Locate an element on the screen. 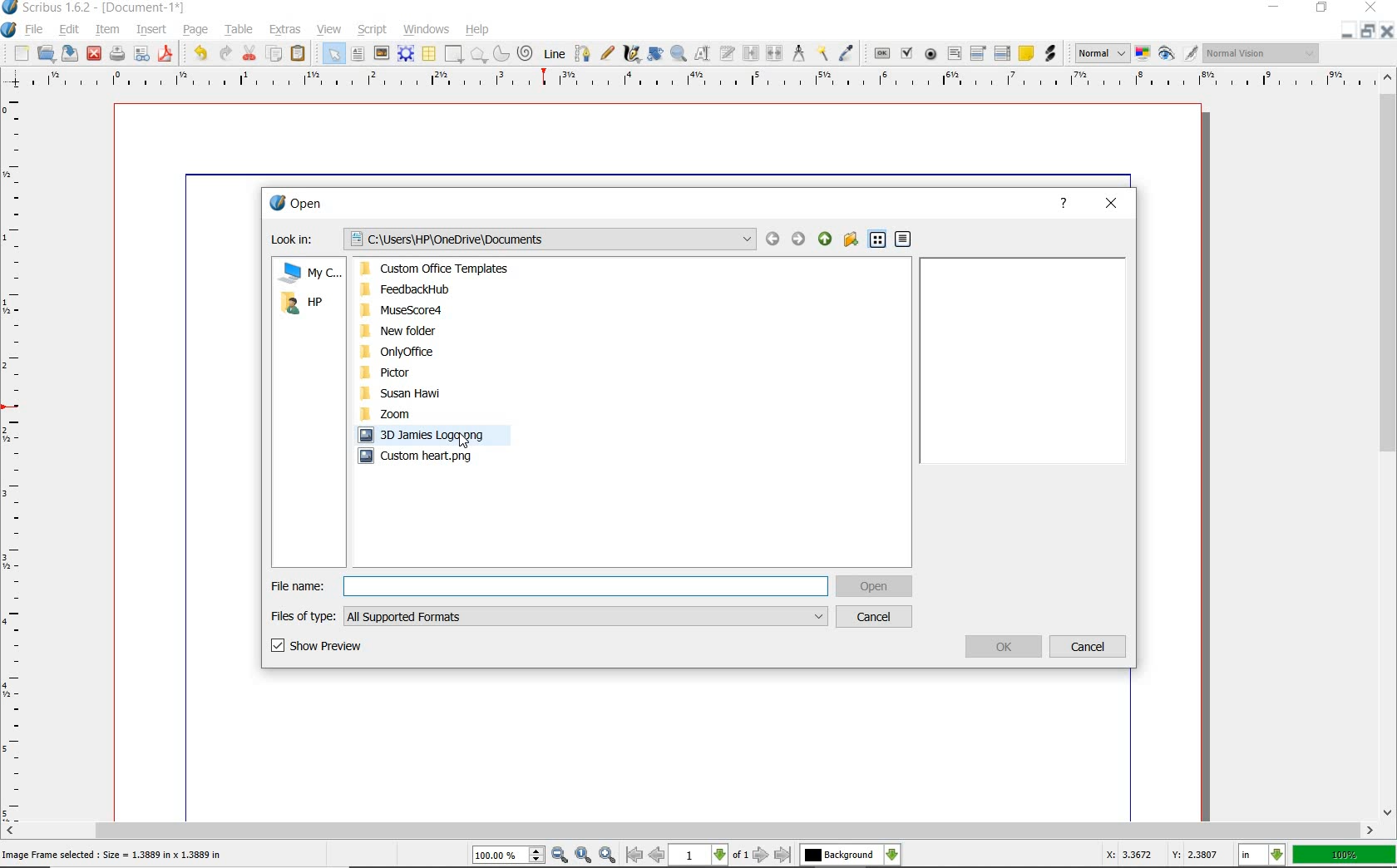  select the current unit: in is located at coordinates (1261, 853).